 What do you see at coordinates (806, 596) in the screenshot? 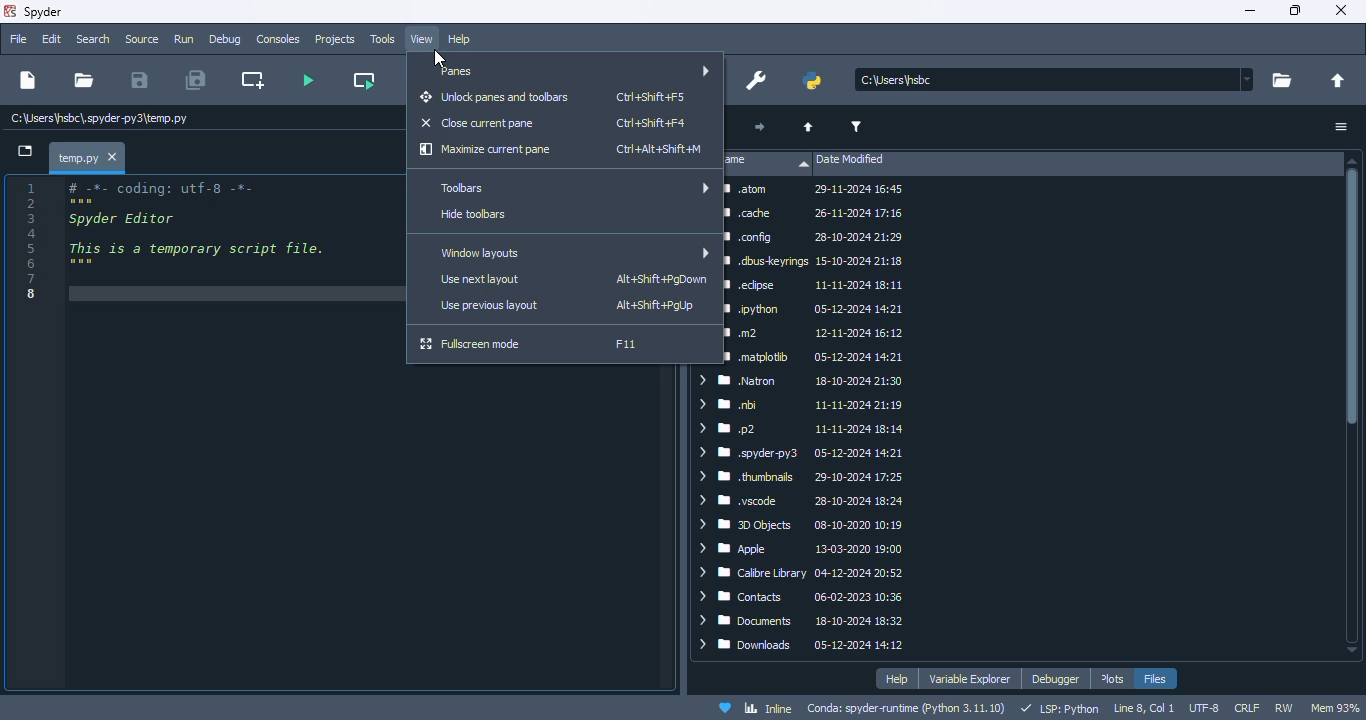
I see `contacts` at bounding box center [806, 596].